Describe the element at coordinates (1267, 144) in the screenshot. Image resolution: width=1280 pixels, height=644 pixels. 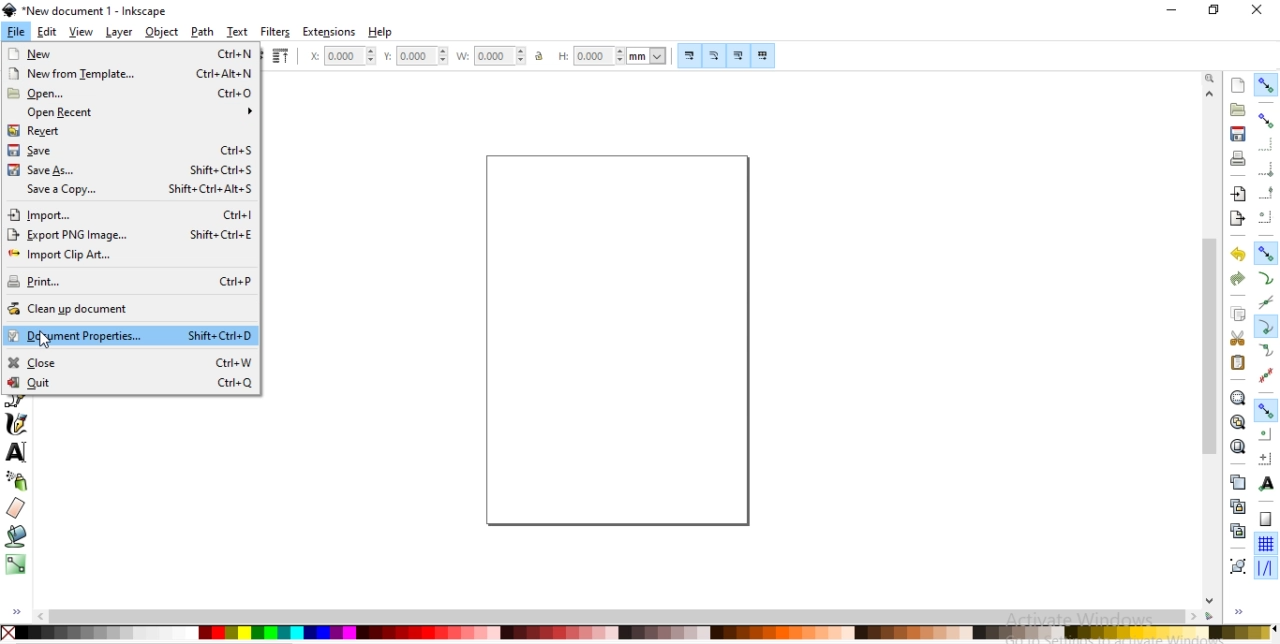
I see `snap to edges of bounding box` at that location.